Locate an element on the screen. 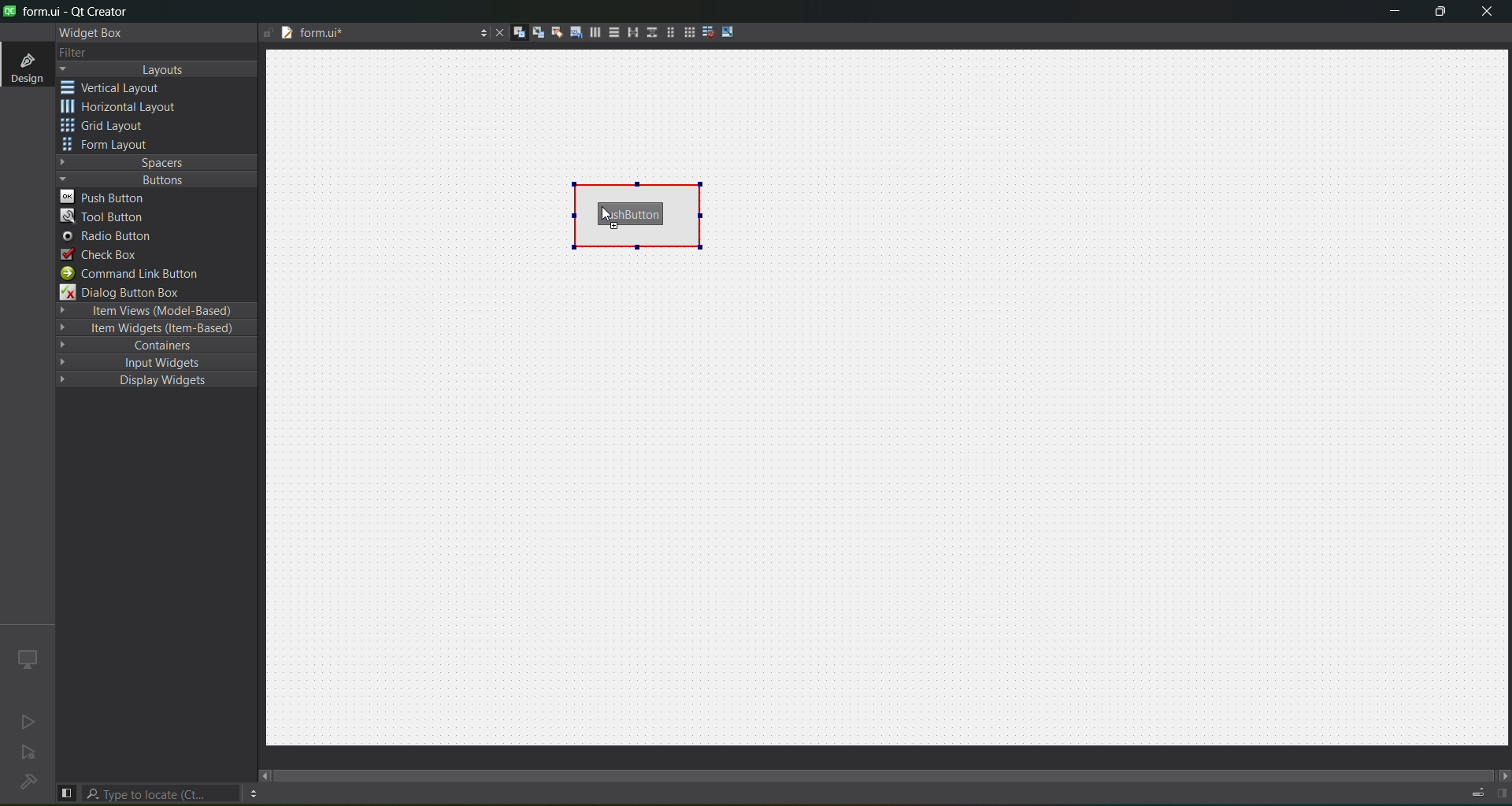 Image resolution: width=1512 pixels, height=806 pixels. command link button is located at coordinates (139, 274).